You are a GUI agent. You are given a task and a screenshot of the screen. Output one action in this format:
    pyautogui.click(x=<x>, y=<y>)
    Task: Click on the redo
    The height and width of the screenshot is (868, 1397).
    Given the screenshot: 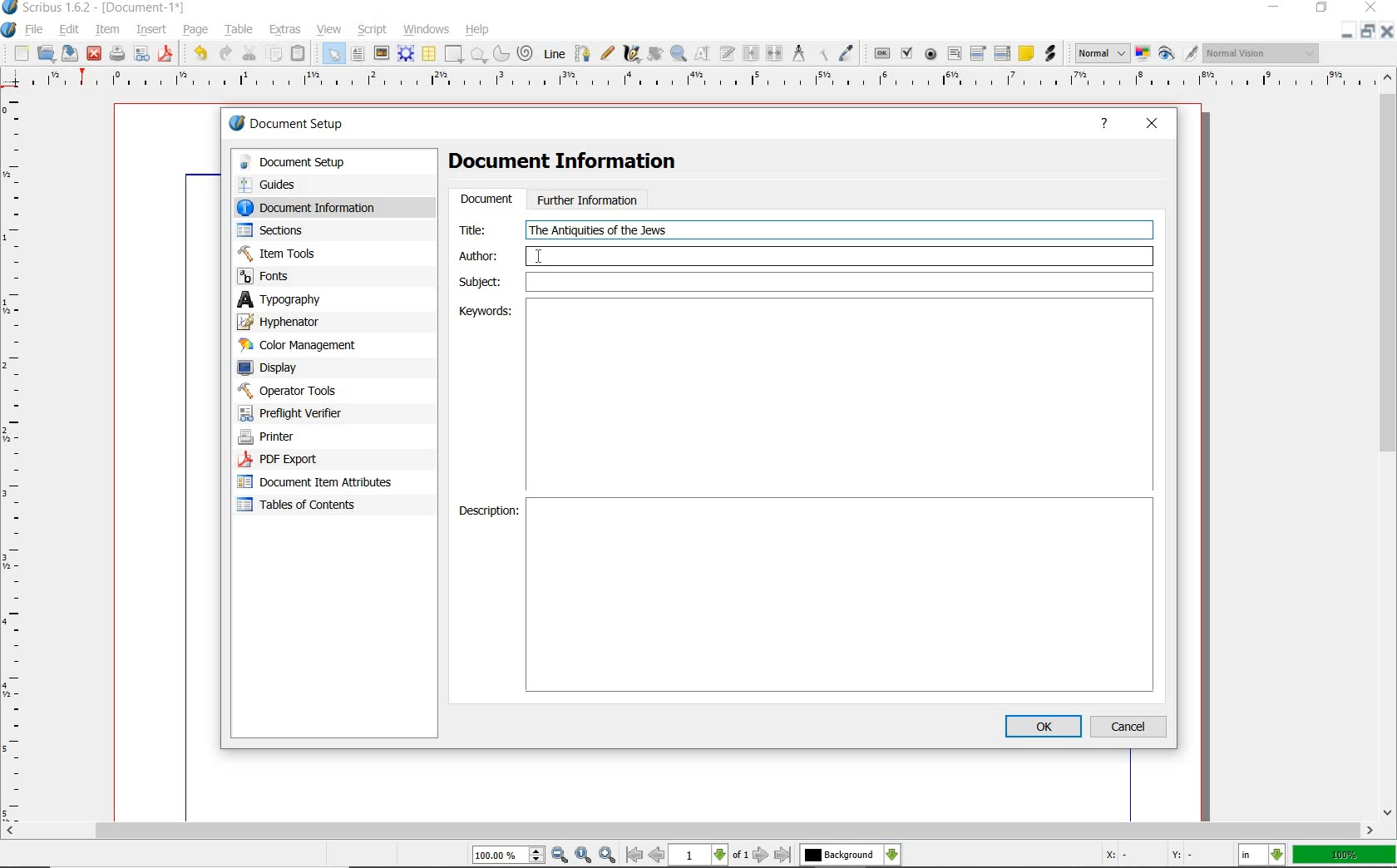 What is the action you would take?
    pyautogui.click(x=227, y=54)
    